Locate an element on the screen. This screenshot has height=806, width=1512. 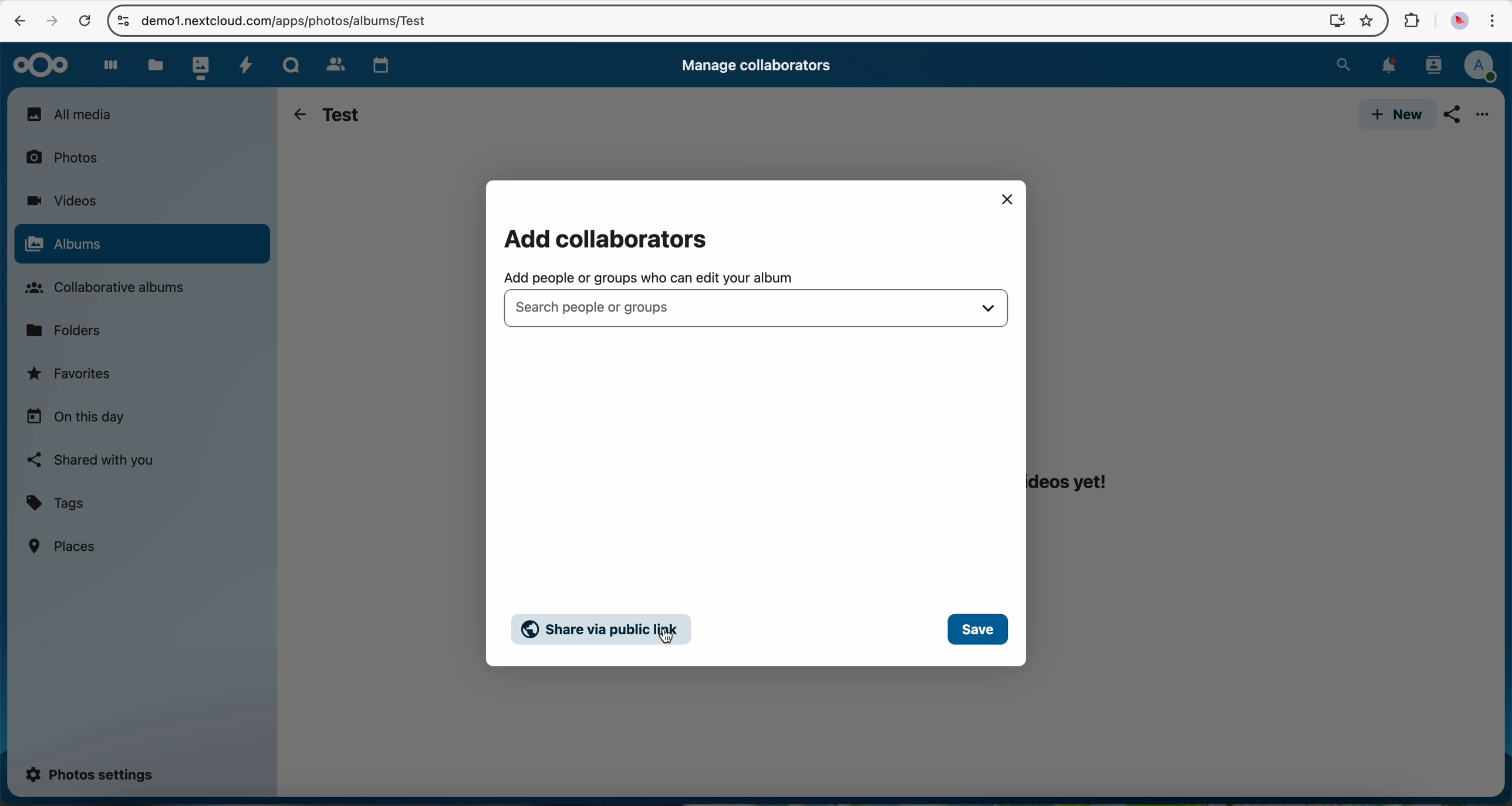
Nextcloud logo is located at coordinates (36, 64).